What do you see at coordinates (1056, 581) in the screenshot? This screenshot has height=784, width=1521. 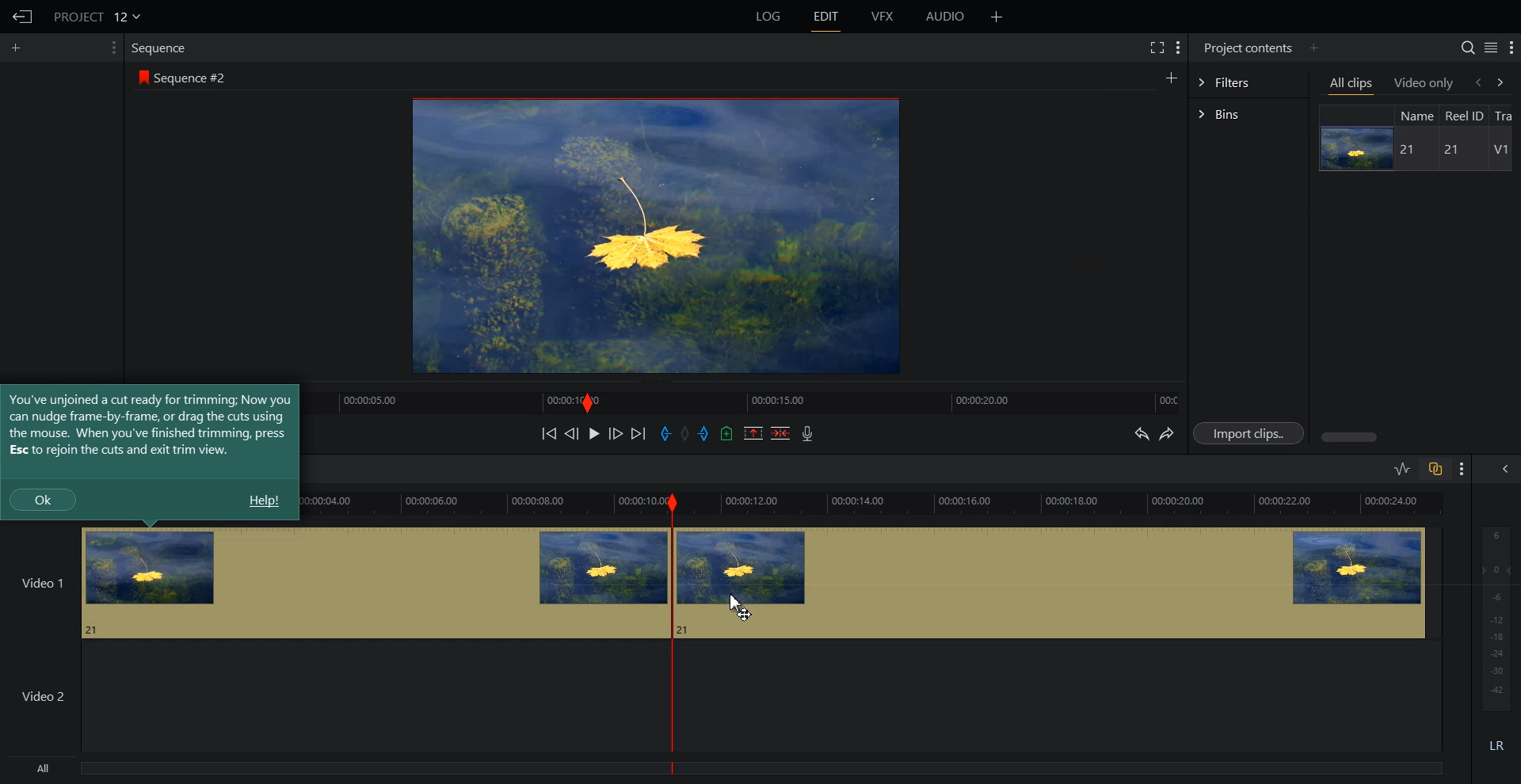 I see `Video Clip` at bounding box center [1056, 581].